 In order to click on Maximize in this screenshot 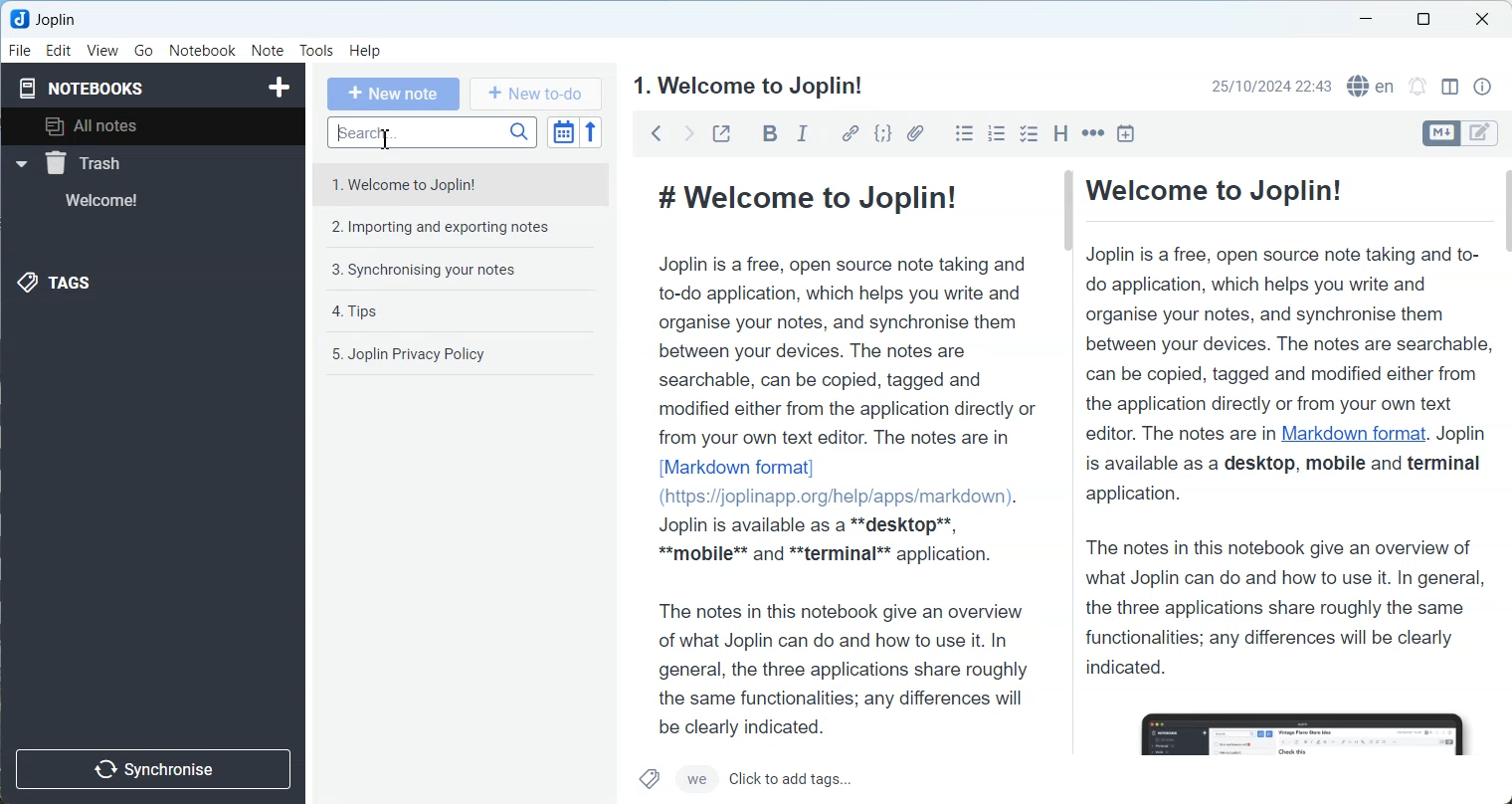, I will do `click(1422, 21)`.